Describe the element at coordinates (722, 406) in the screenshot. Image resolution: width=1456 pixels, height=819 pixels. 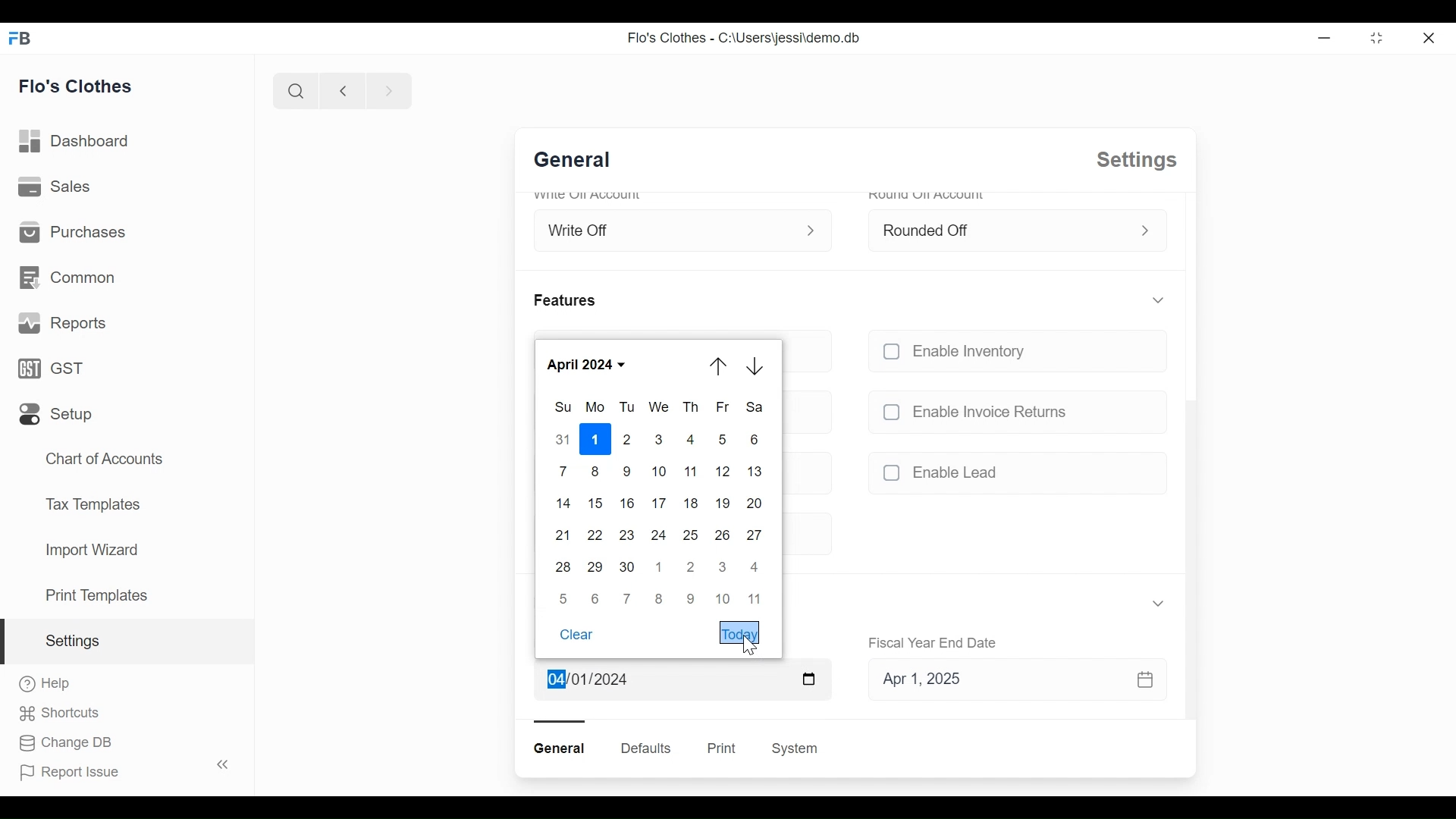
I see `Fr` at that location.